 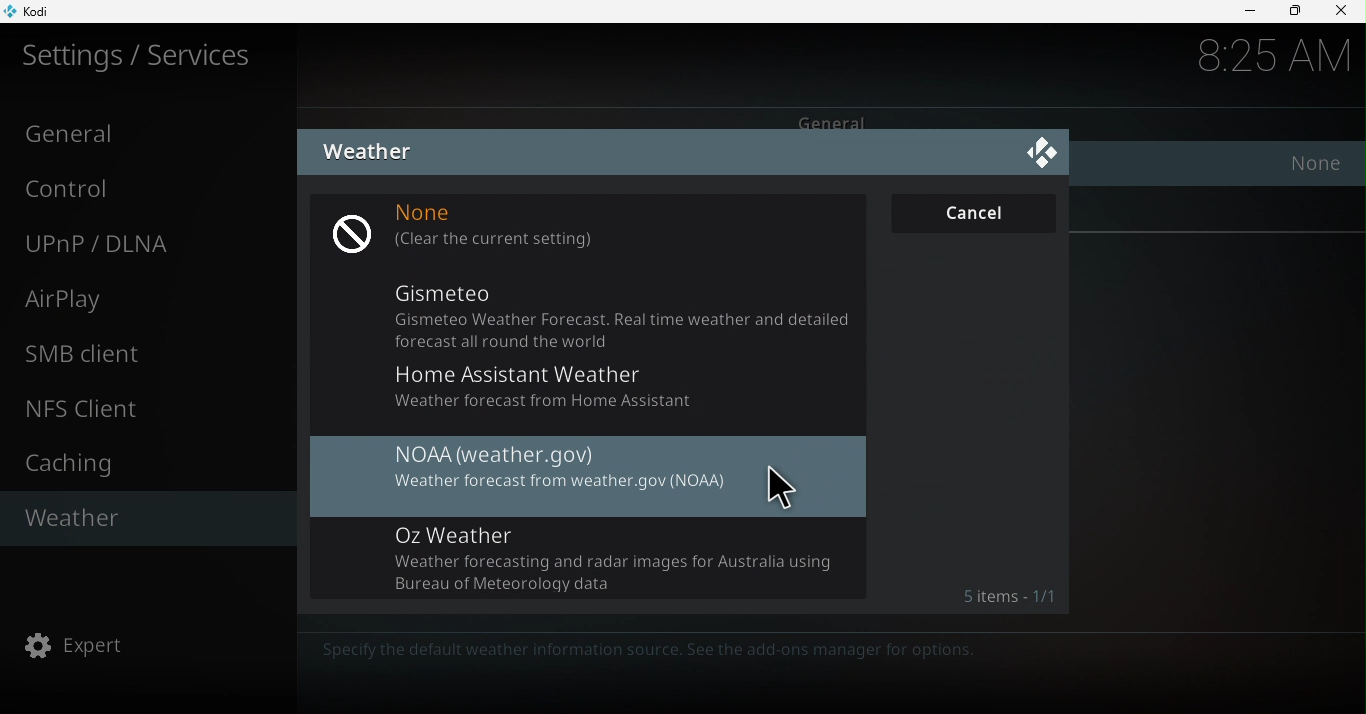 I want to click on Maximize, so click(x=1295, y=9).